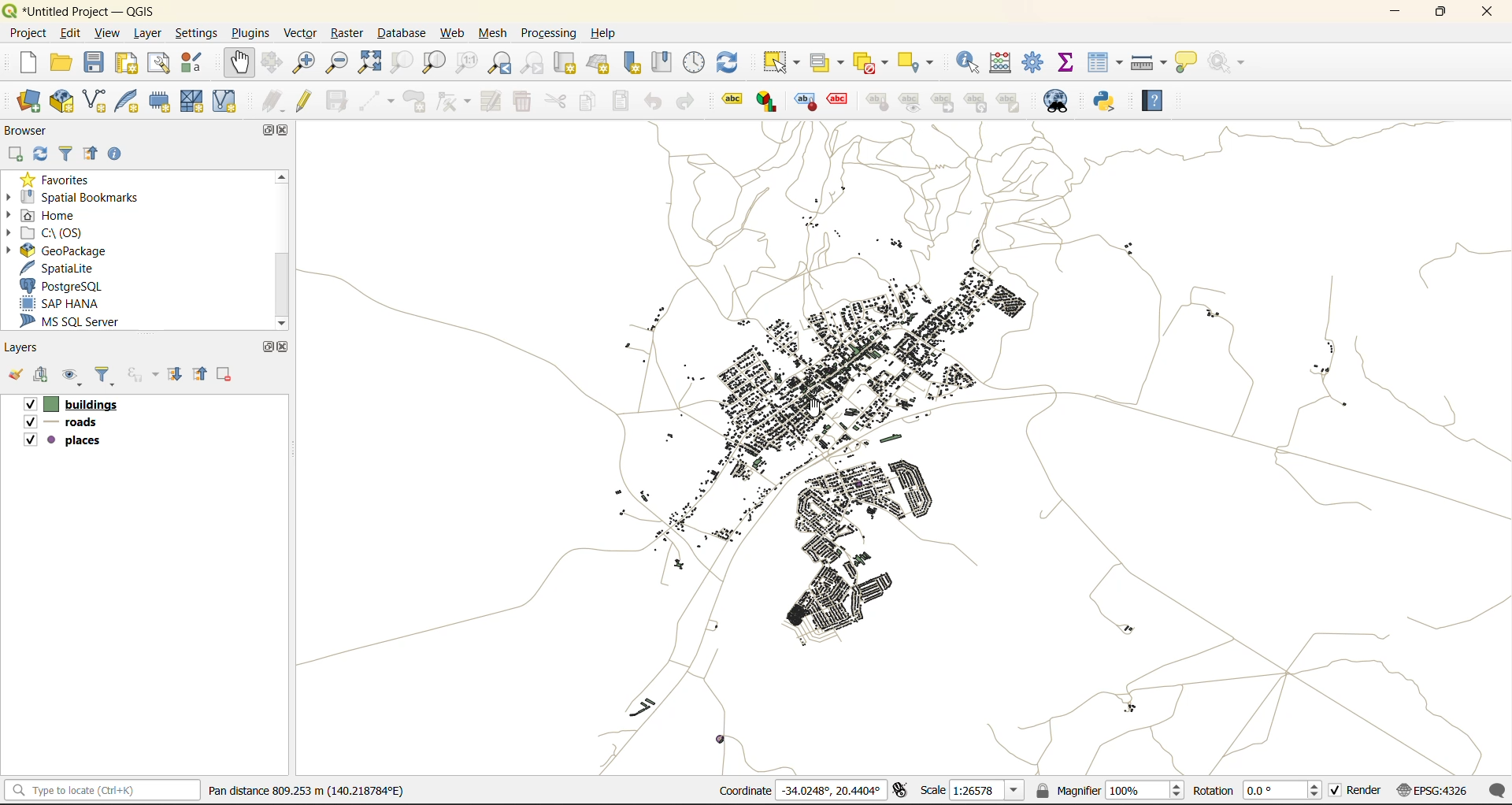 The width and height of the screenshot is (1512, 805). I want to click on vector, so click(298, 32).